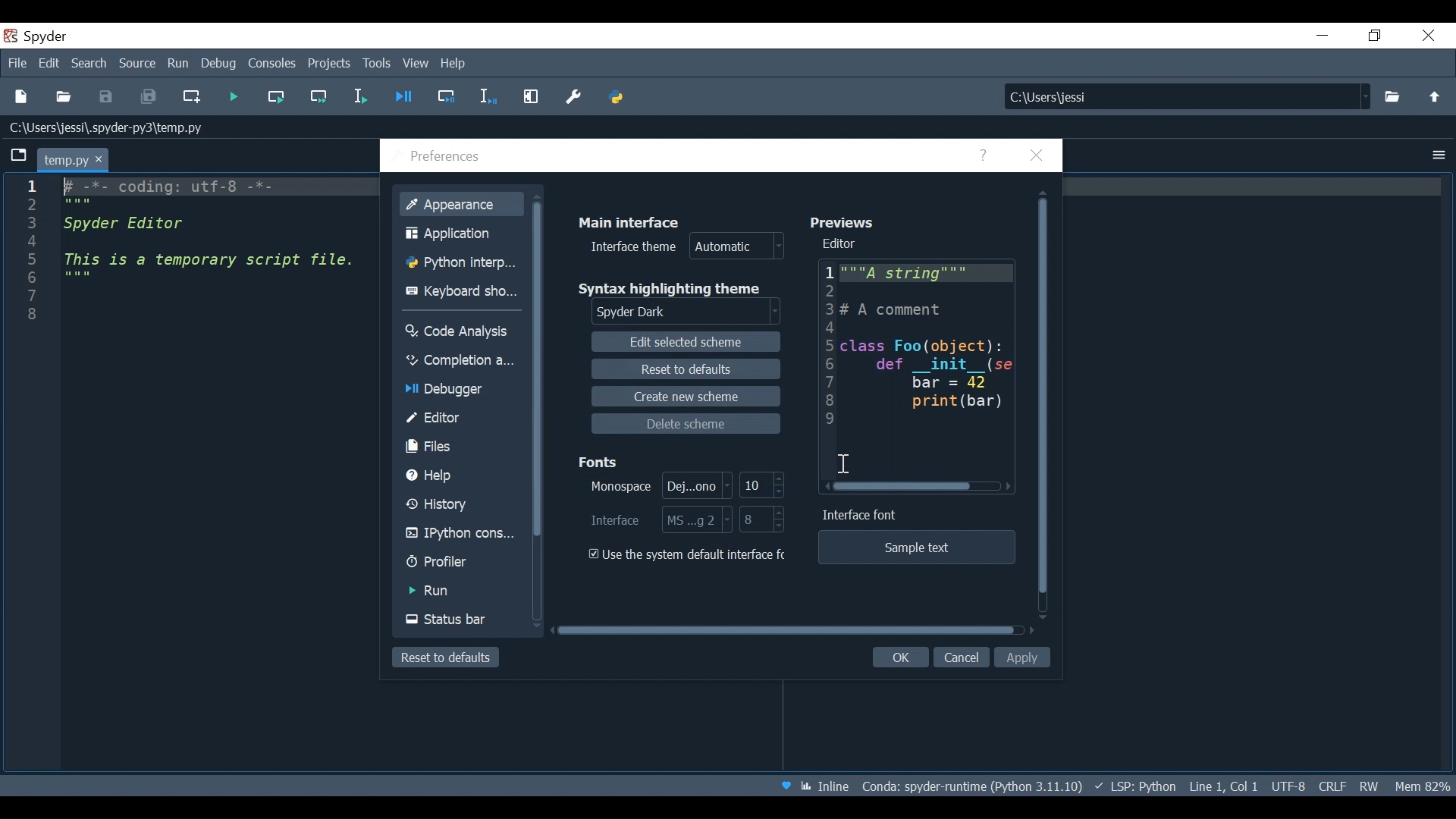  I want to click on Run, so click(179, 64).